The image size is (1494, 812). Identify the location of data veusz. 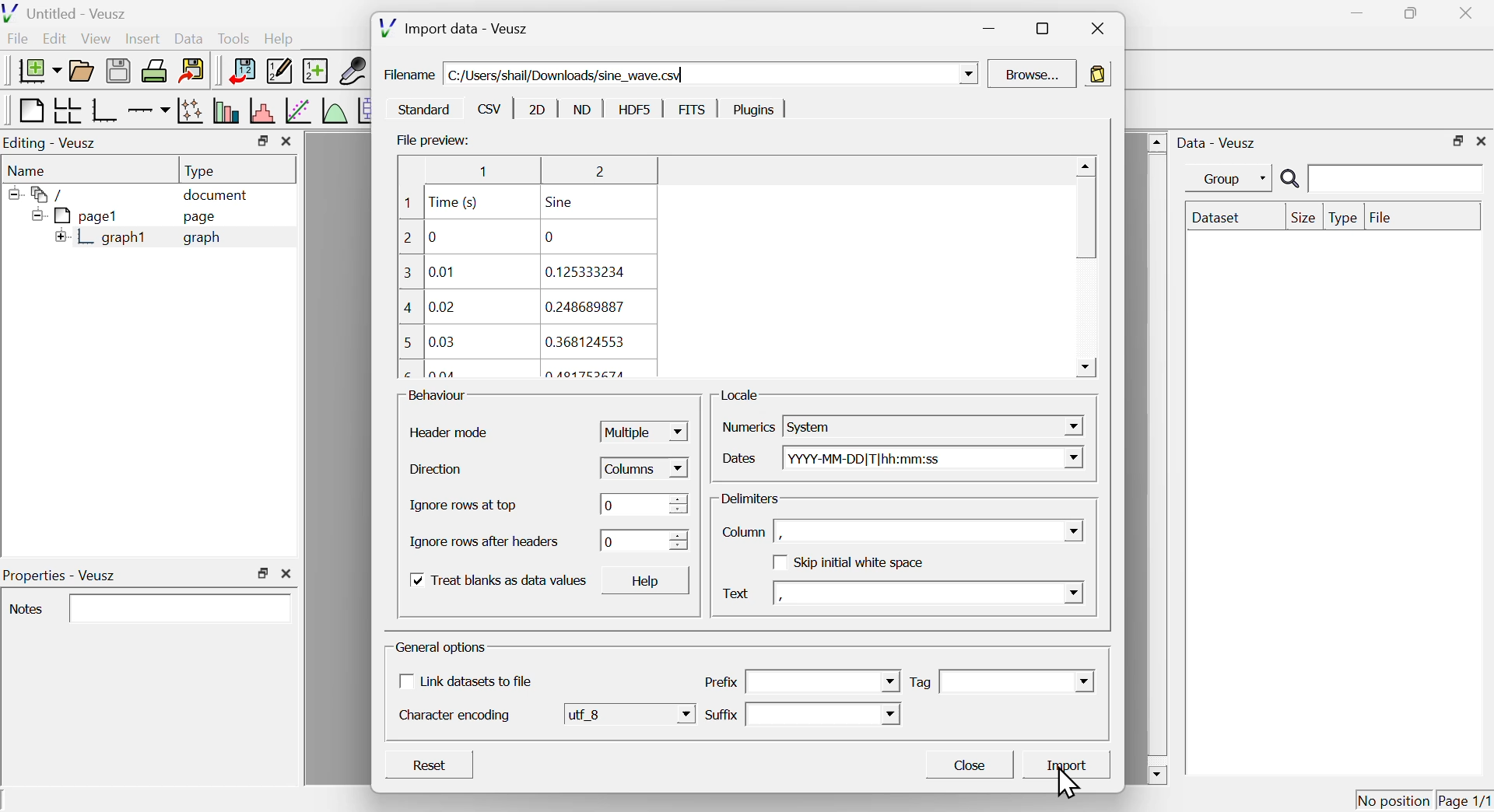
(1217, 142).